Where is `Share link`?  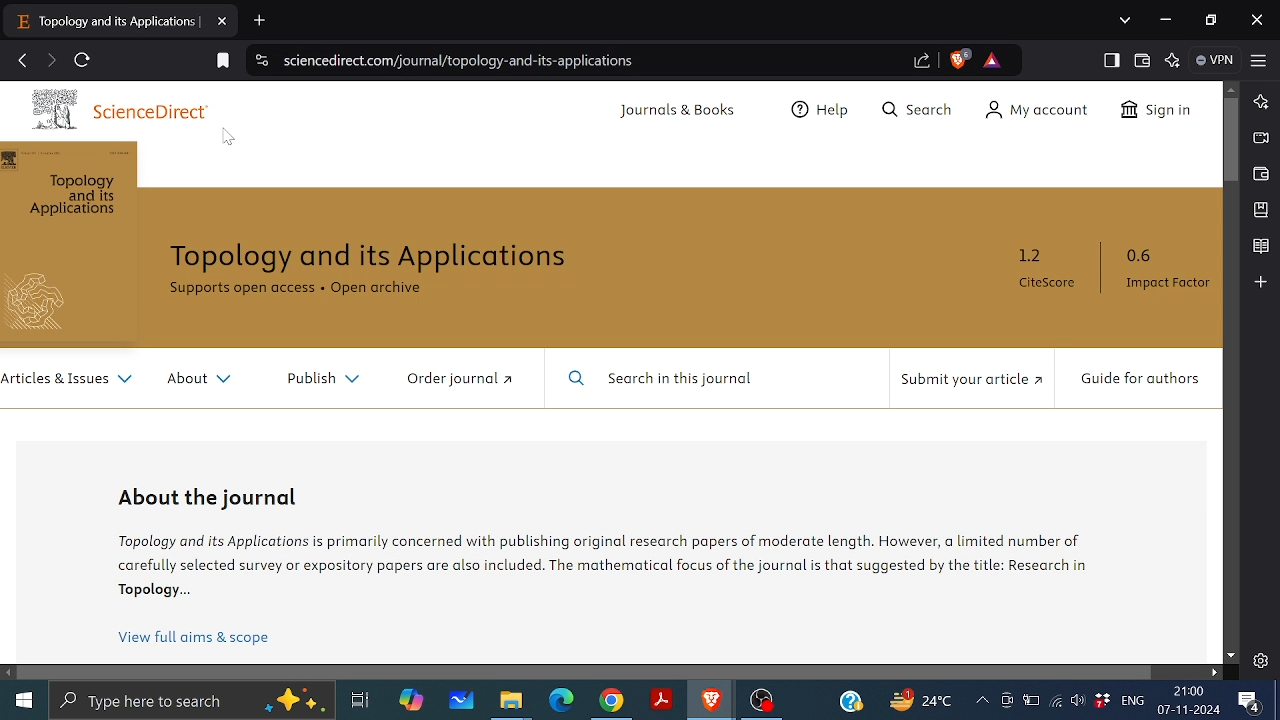
Share link is located at coordinates (921, 60).